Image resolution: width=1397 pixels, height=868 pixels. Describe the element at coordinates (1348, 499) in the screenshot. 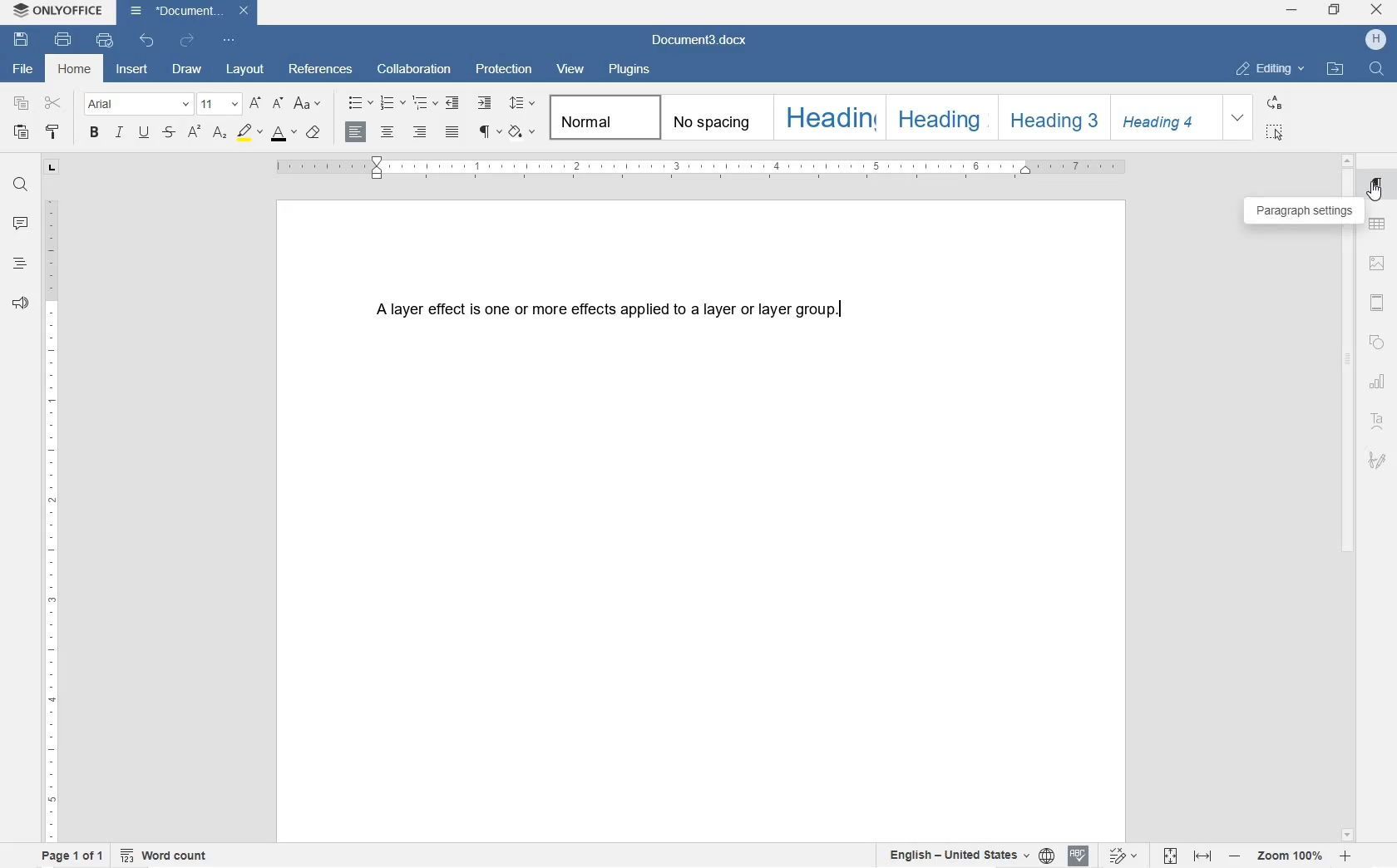

I see `SCROLLBAR` at that location.